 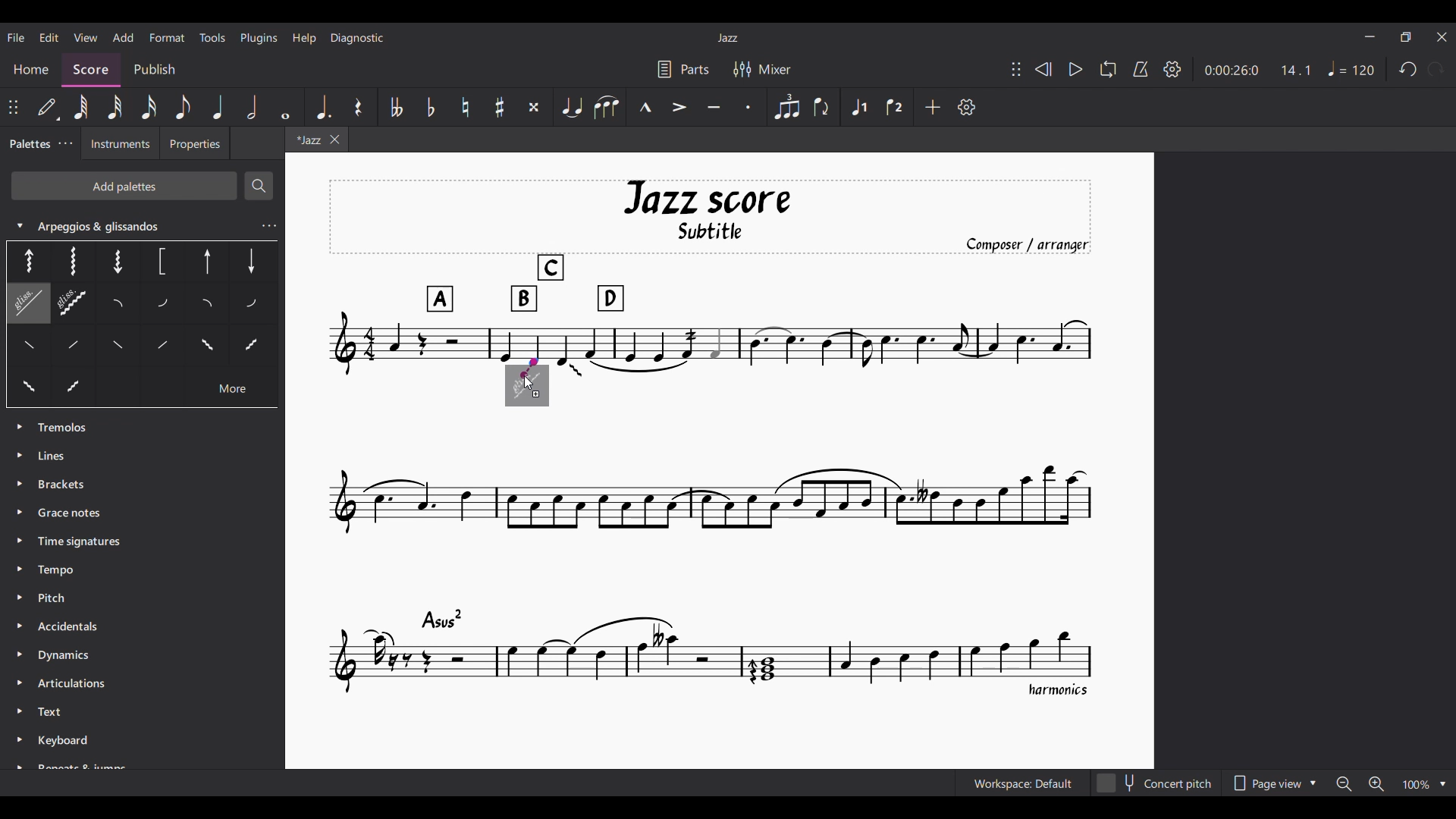 What do you see at coordinates (1370, 36) in the screenshot?
I see `Minimize` at bounding box center [1370, 36].